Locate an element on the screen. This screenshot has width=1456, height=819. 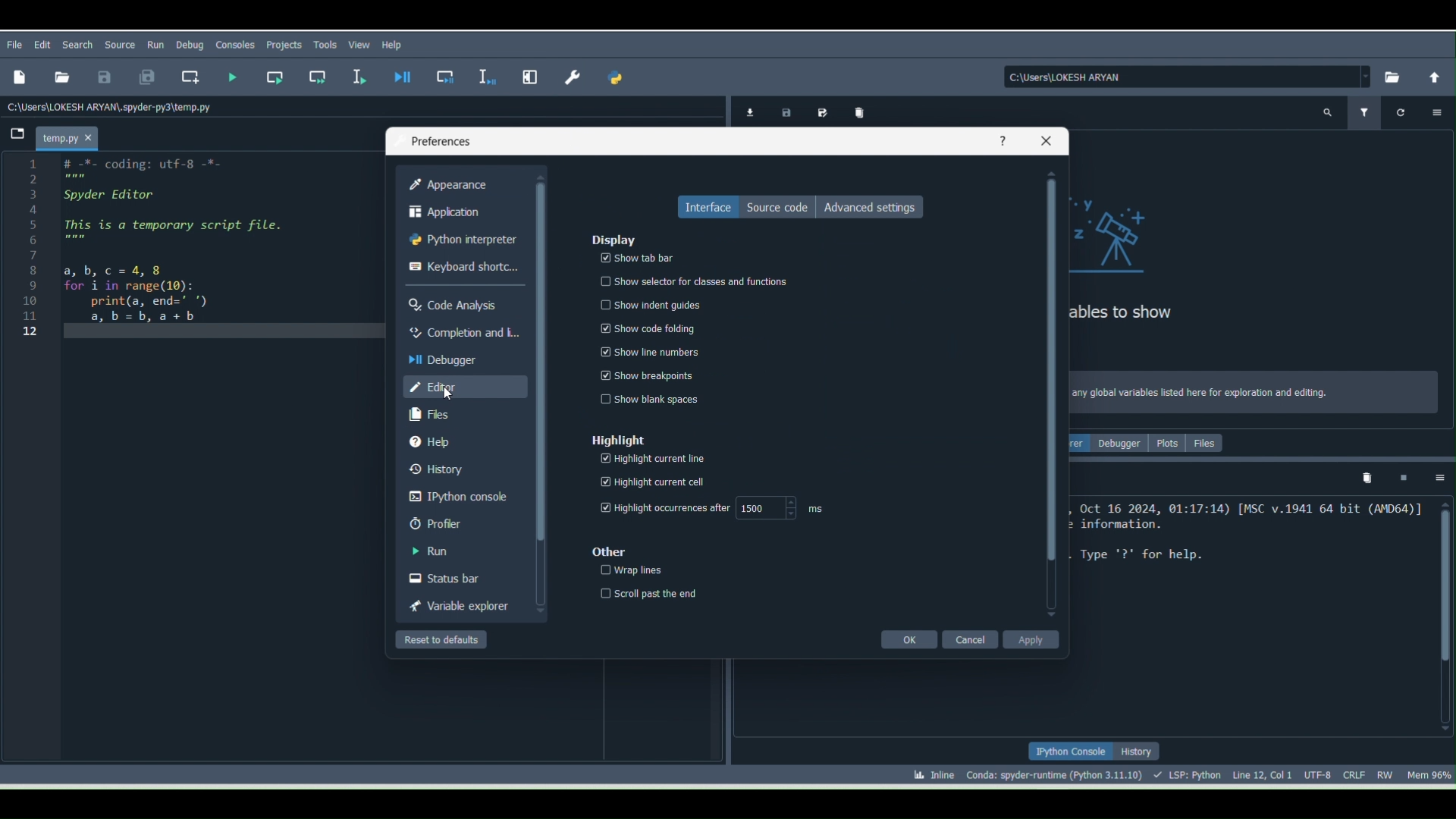
Save data as is located at coordinates (822, 111).